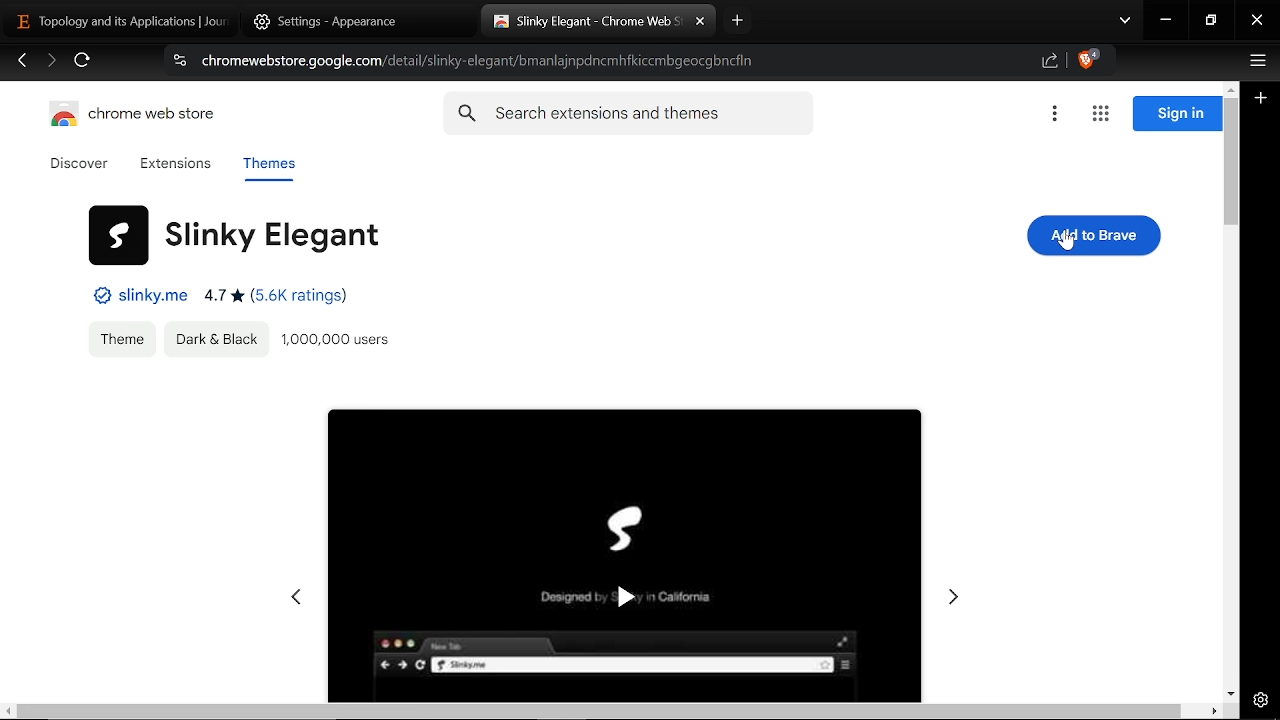  Describe the element at coordinates (628, 114) in the screenshot. I see `Search extensions and themes` at that location.